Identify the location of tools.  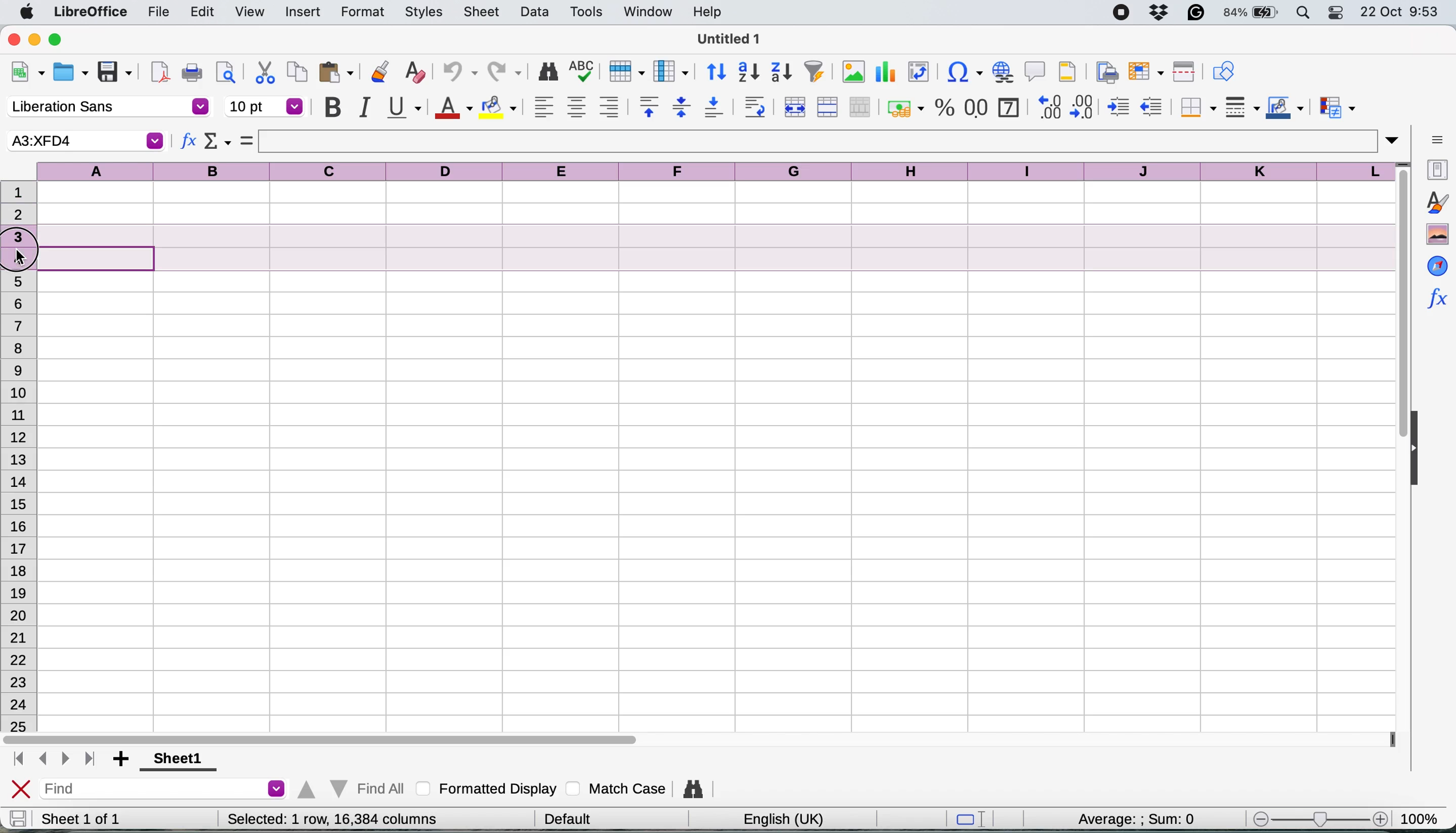
(590, 11).